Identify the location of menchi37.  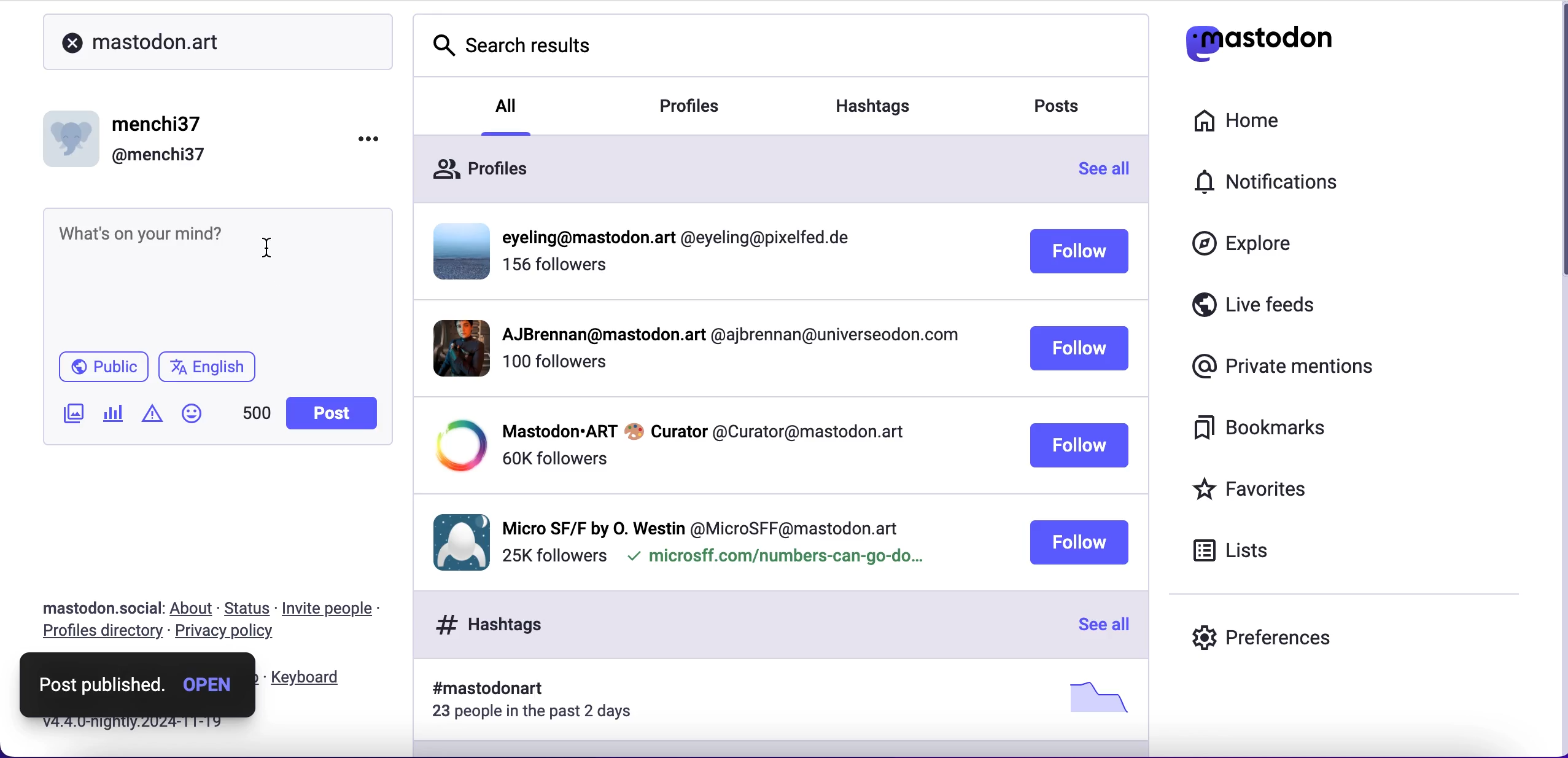
(159, 125).